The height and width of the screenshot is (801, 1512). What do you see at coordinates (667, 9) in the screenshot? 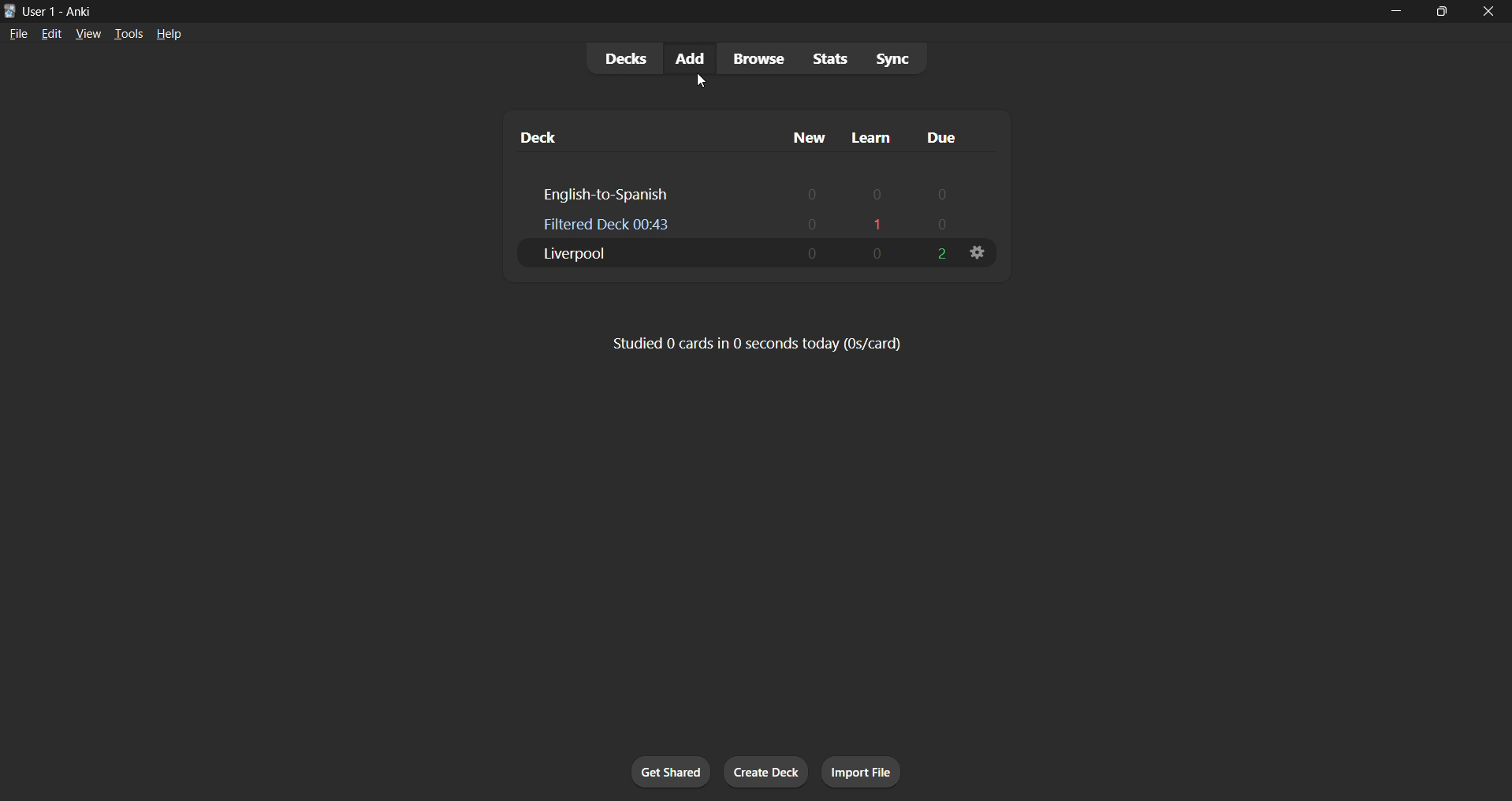
I see `title bar` at bounding box center [667, 9].